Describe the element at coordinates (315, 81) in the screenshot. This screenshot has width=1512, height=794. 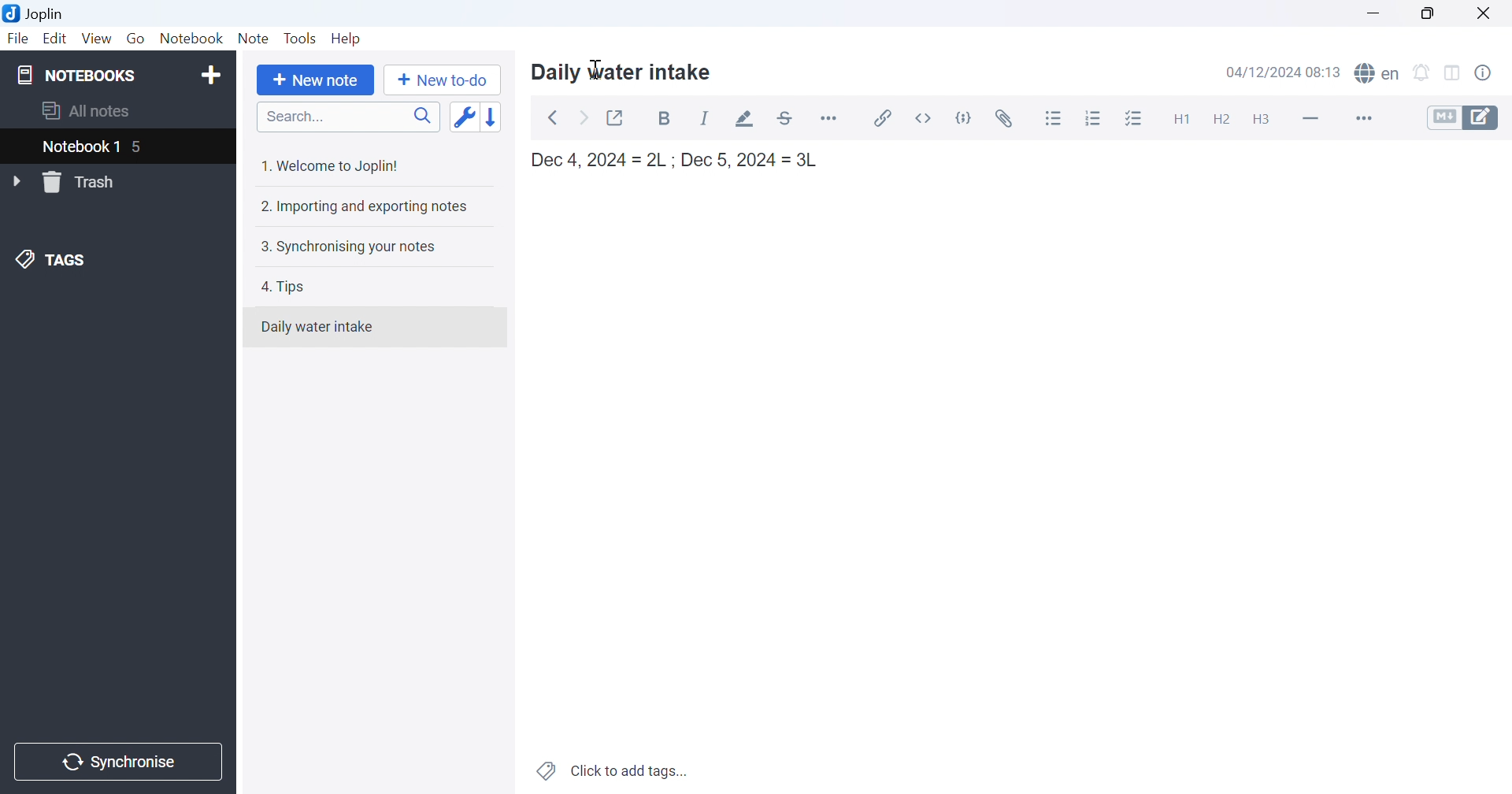
I see `New note` at that location.